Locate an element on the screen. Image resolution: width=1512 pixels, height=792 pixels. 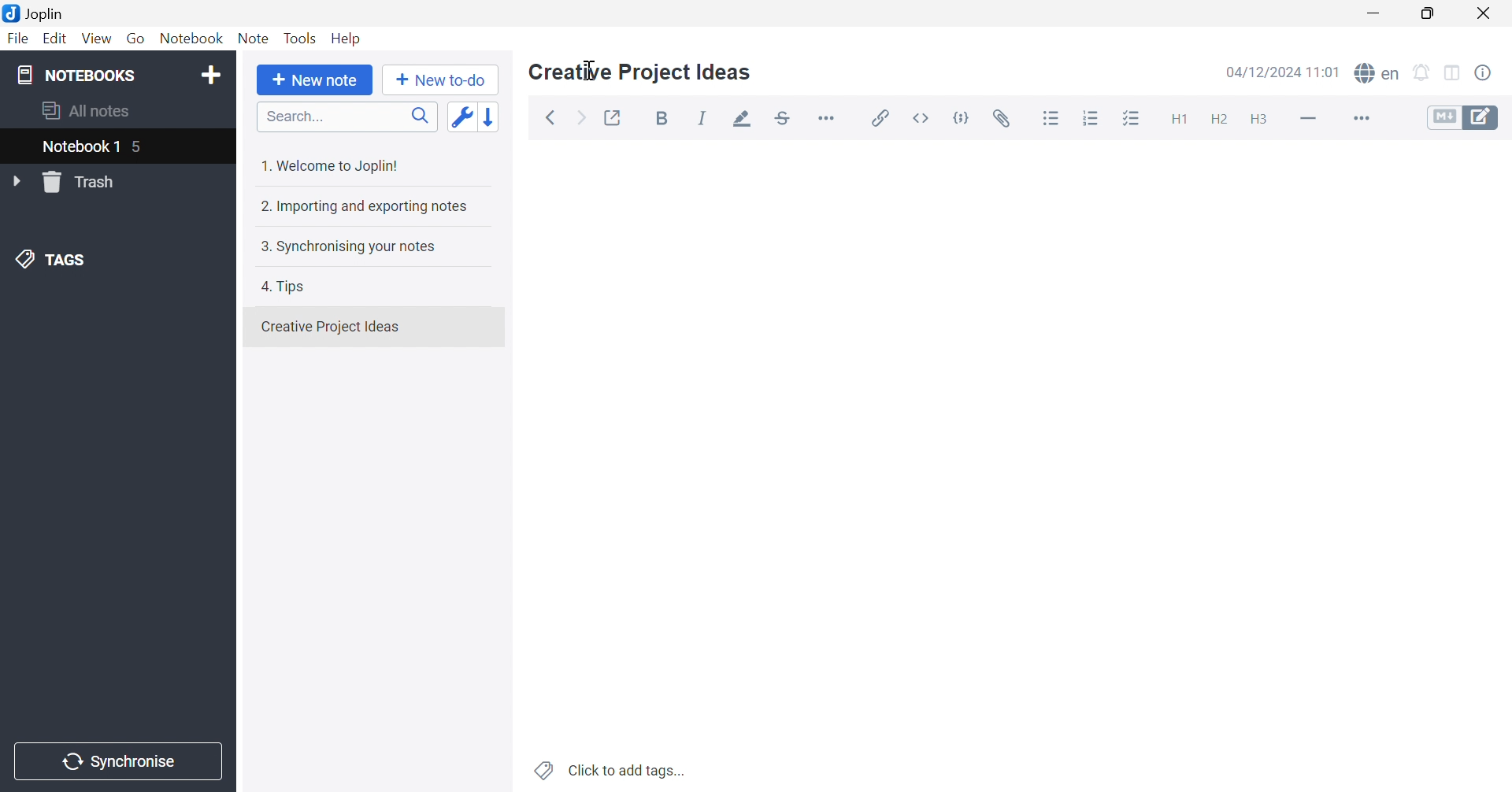
Minimize is located at coordinates (1379, 13).